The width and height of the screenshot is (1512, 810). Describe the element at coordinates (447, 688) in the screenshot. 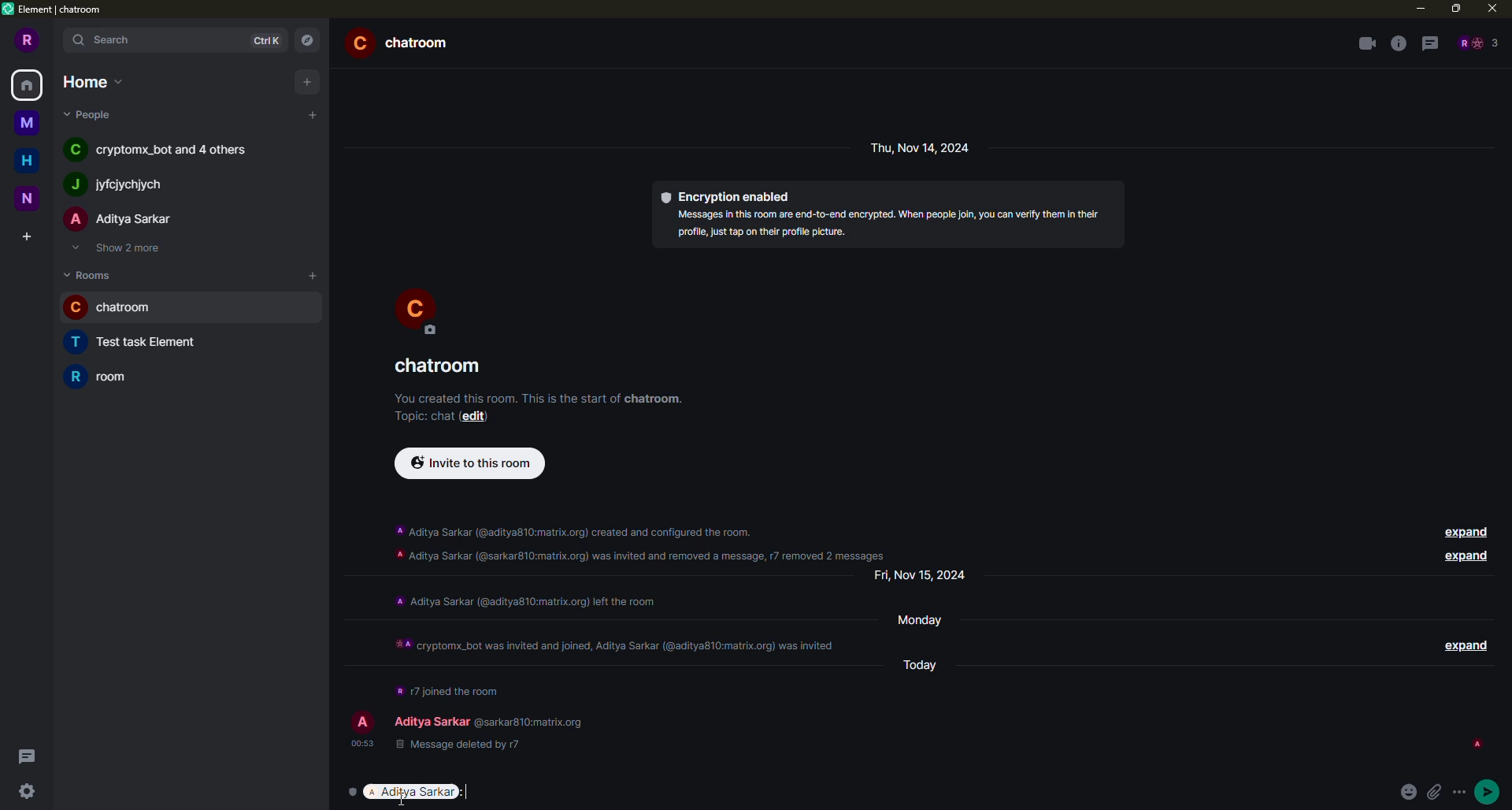

I see `info` at that location.